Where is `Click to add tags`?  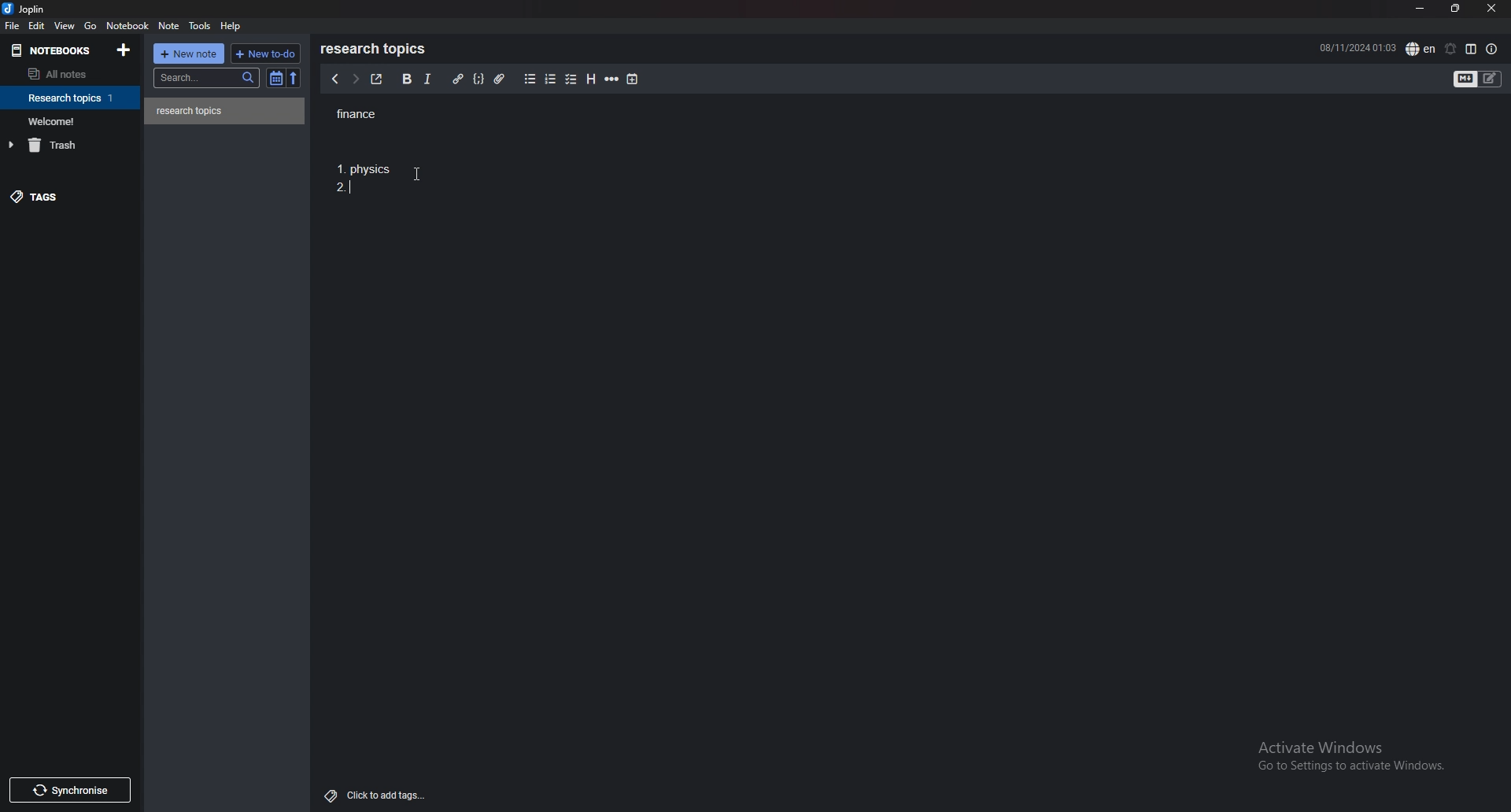 Click to add tags is located at coordinates (371, 795).